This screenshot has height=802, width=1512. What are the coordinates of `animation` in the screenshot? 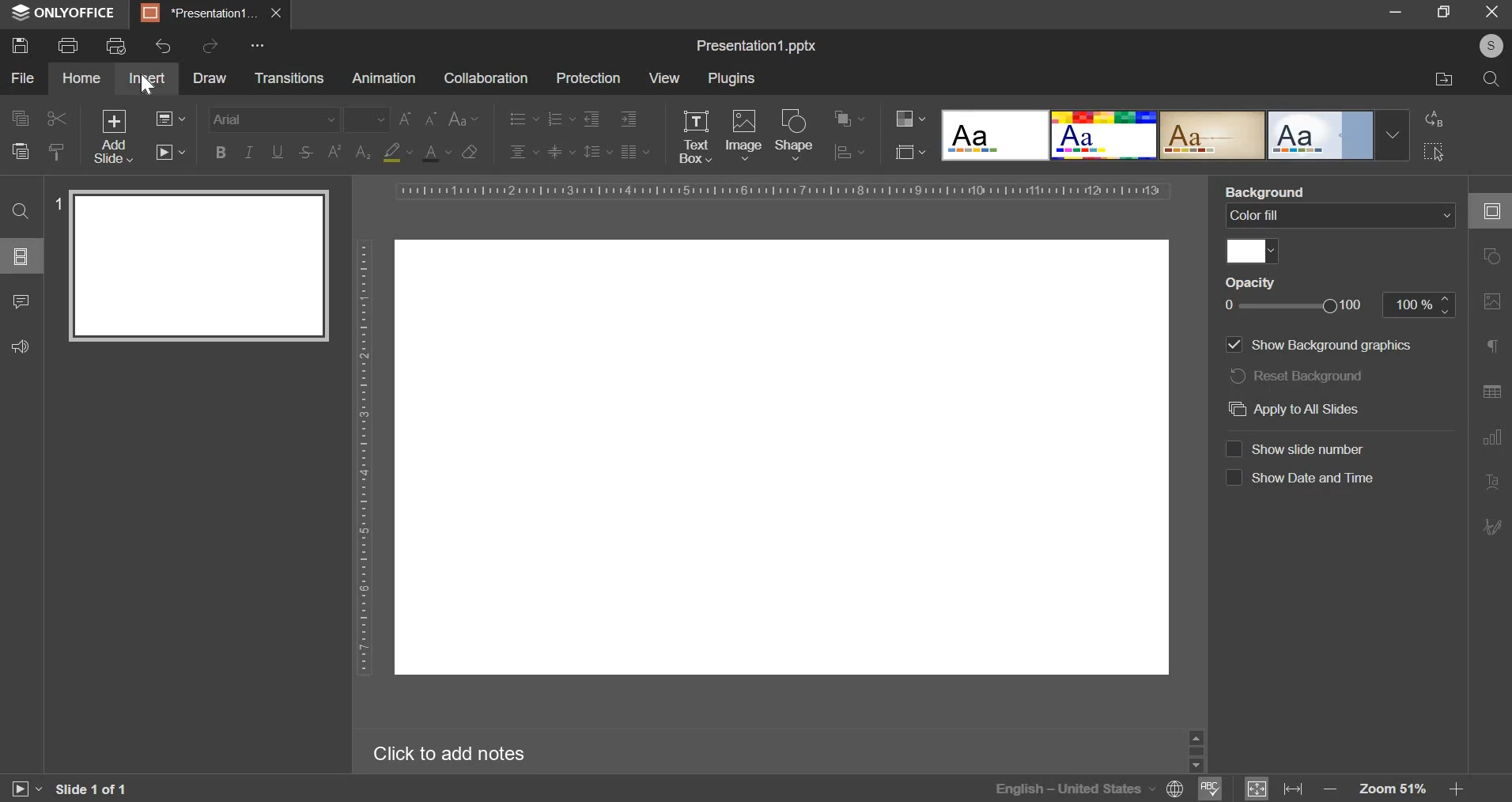 It's located at (383, 79).